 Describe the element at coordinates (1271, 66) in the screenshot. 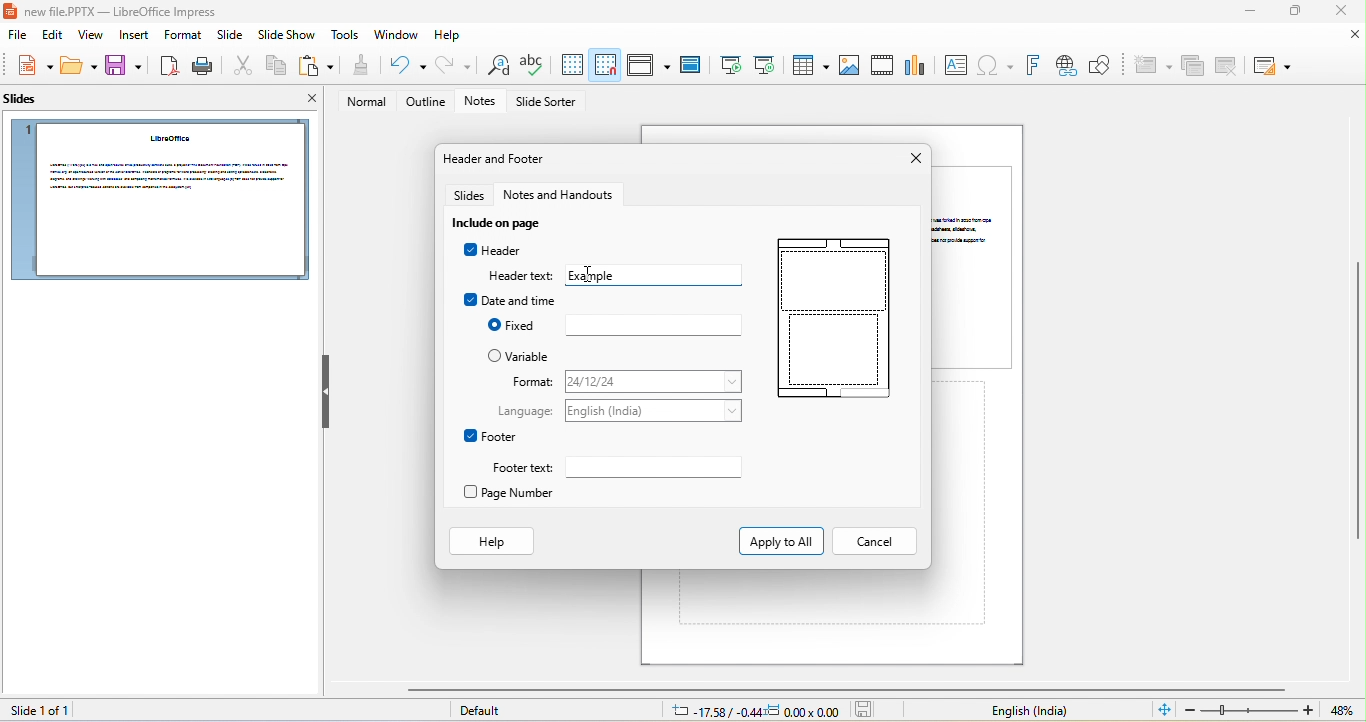

I see `slide layout` at that location.